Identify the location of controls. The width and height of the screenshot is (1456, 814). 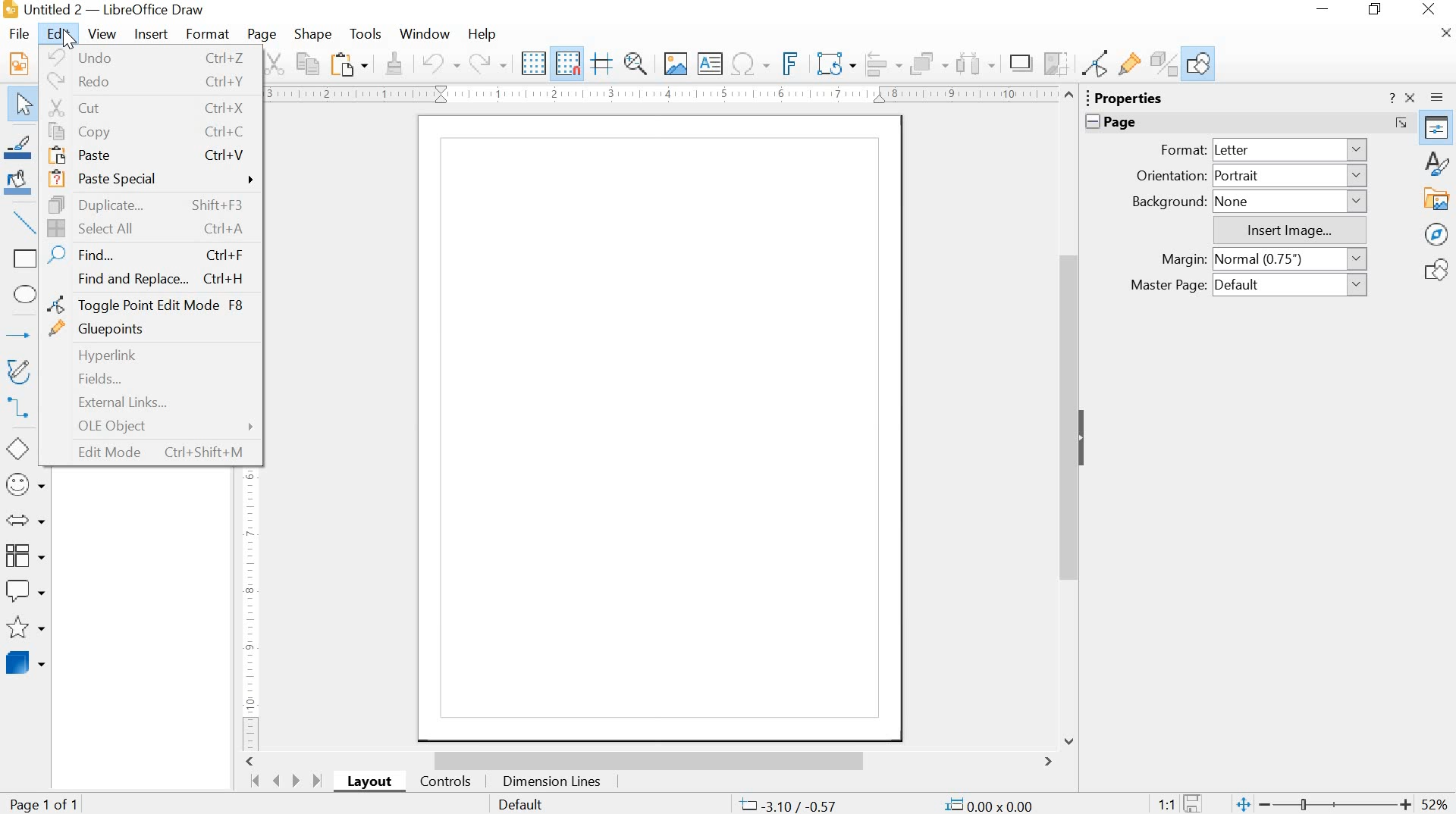
(446, 784).